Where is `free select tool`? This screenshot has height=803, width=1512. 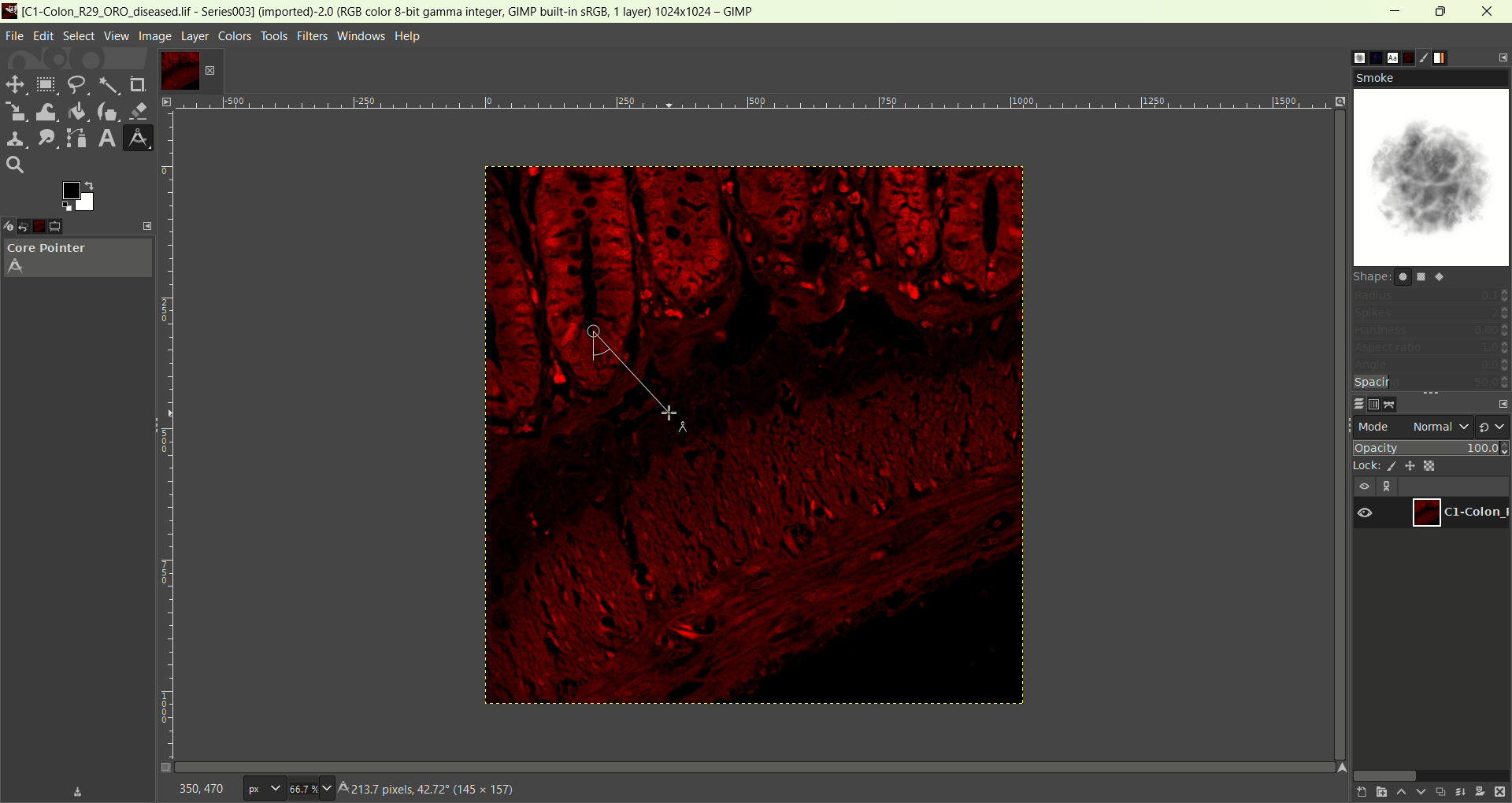
free select tool is located at coordinates (76, 86).